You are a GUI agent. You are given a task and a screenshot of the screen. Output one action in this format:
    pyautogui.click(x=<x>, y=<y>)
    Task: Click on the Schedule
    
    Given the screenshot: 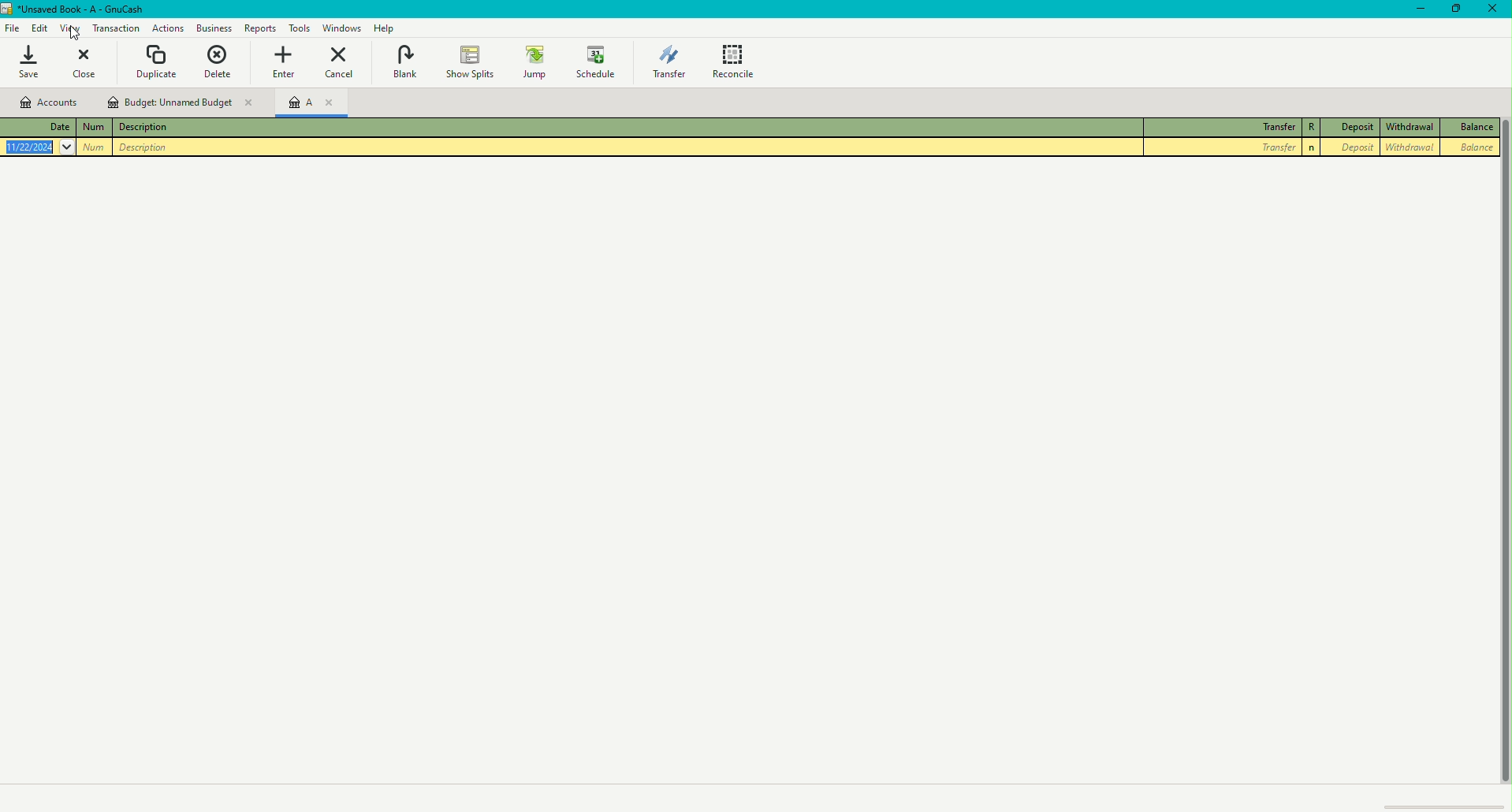 What is the action you would take?
    pyautogui.click(x=600, y=63)
    